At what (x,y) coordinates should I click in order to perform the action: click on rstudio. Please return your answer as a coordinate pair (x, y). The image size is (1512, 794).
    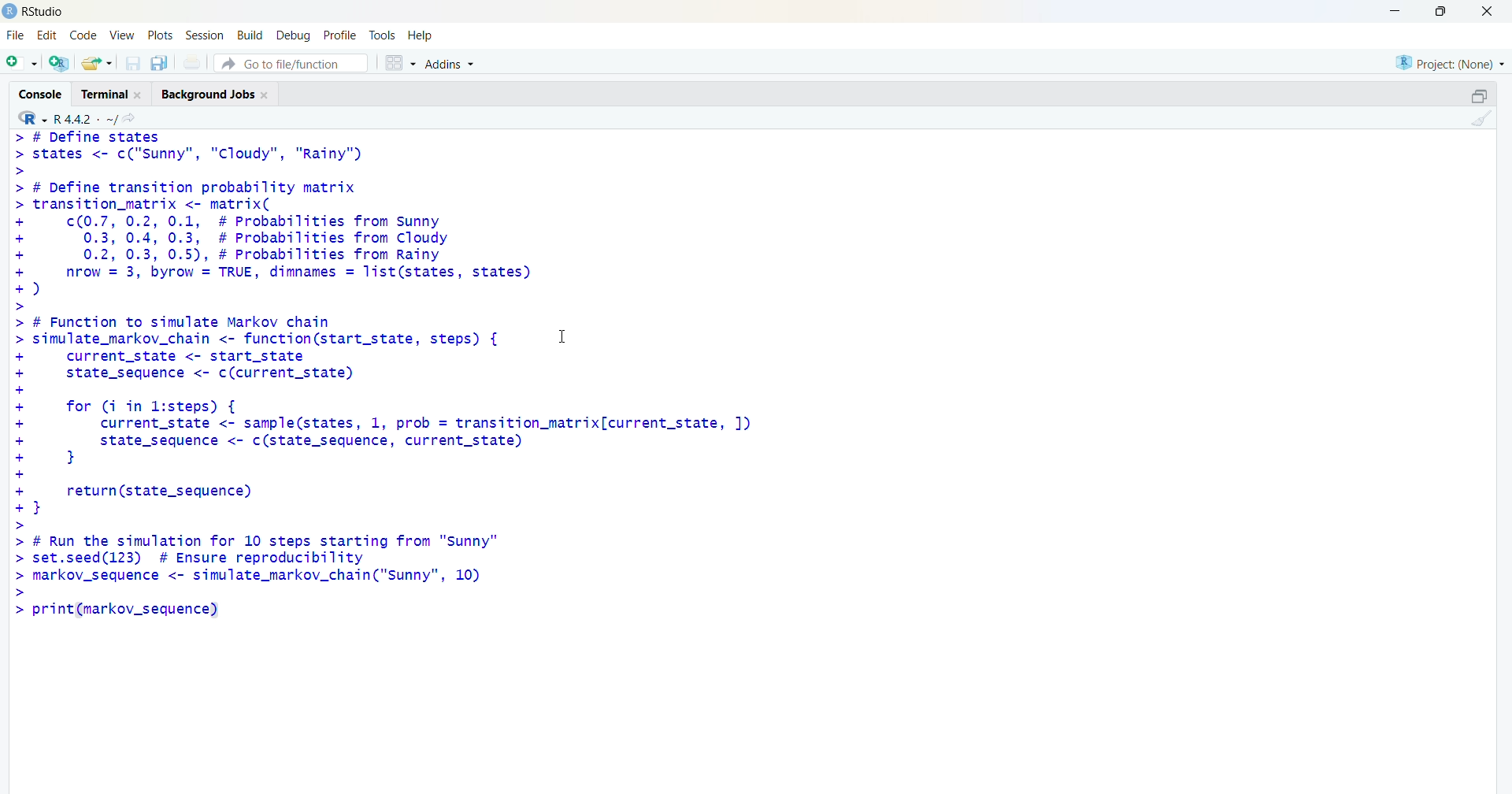
    Looking at the image, I should click on (35, 11).